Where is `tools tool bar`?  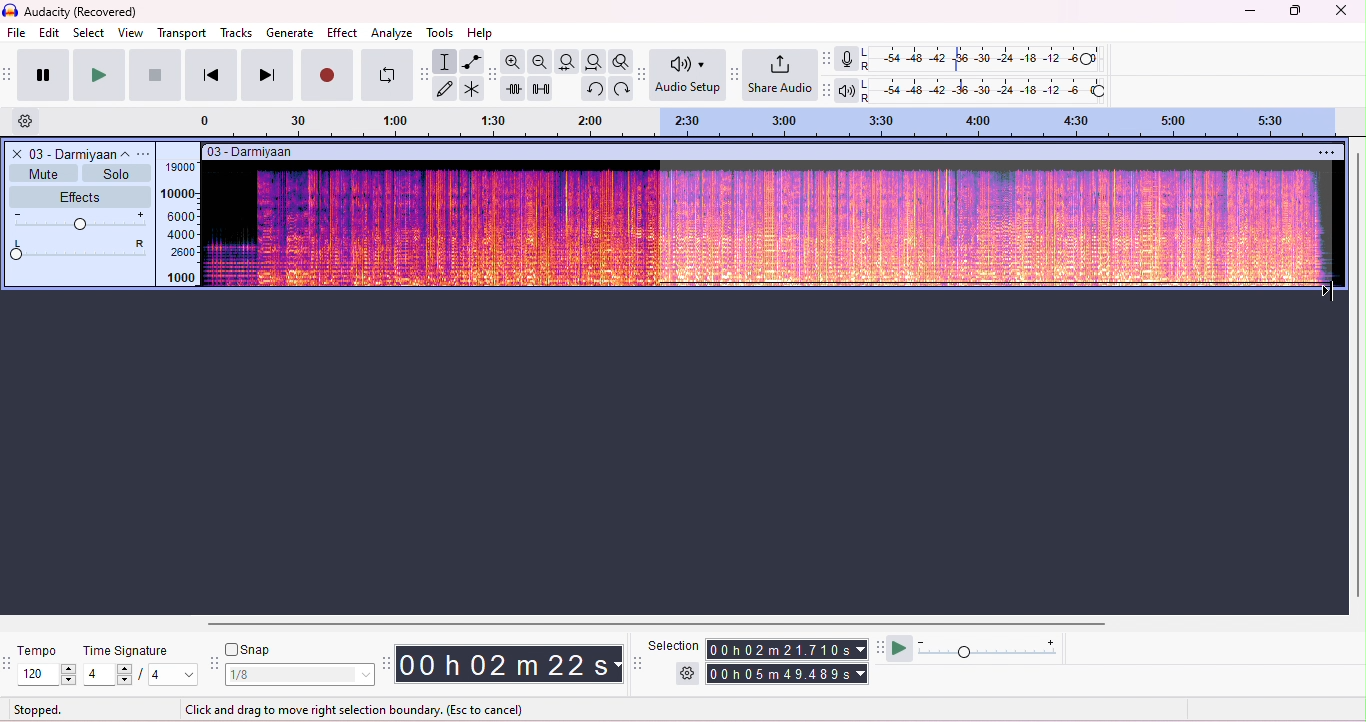
tools tool bar is located at coordinates (425, 74).